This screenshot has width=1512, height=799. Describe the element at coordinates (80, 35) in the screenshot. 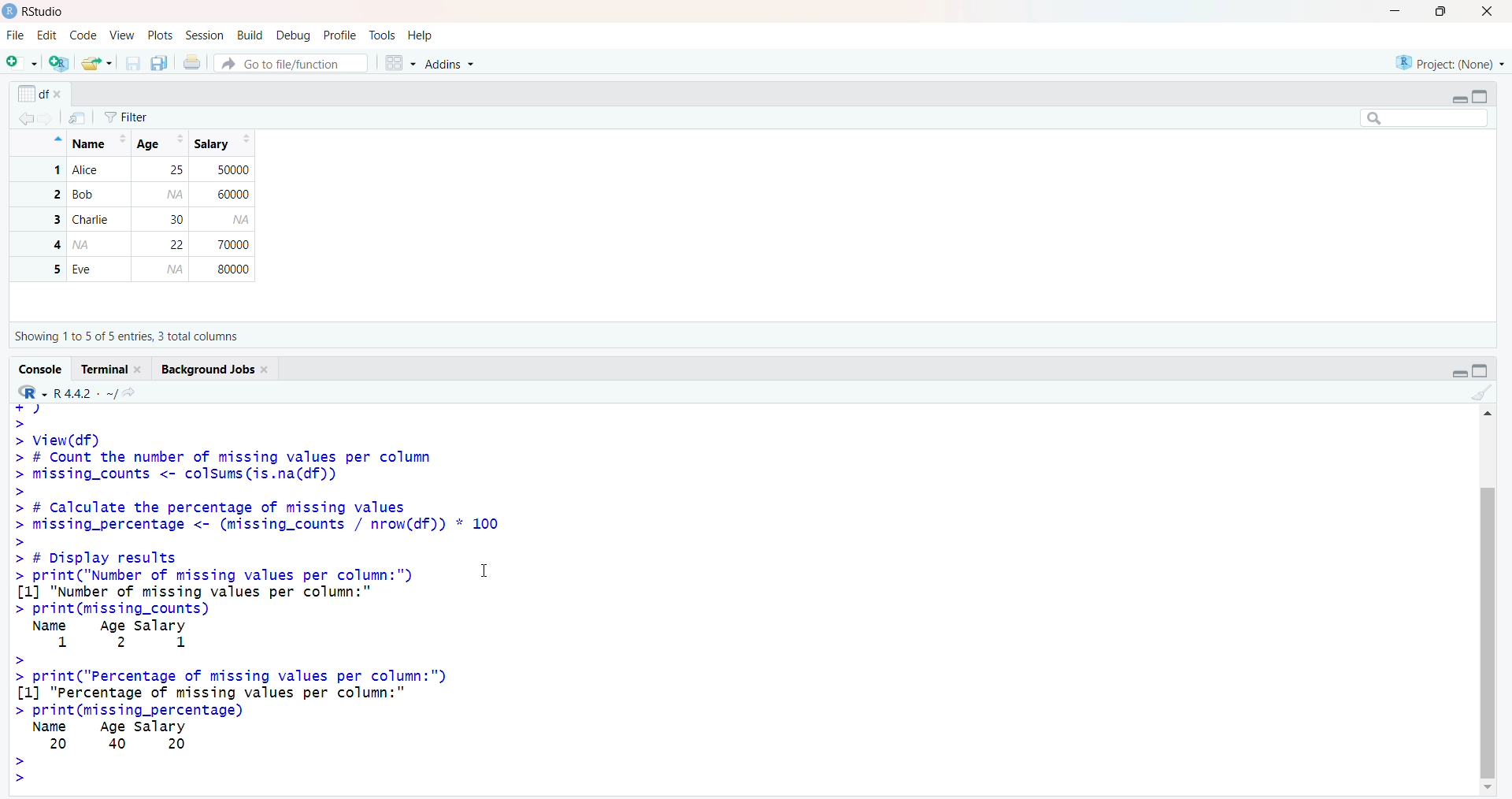

I see `Code` at that location.